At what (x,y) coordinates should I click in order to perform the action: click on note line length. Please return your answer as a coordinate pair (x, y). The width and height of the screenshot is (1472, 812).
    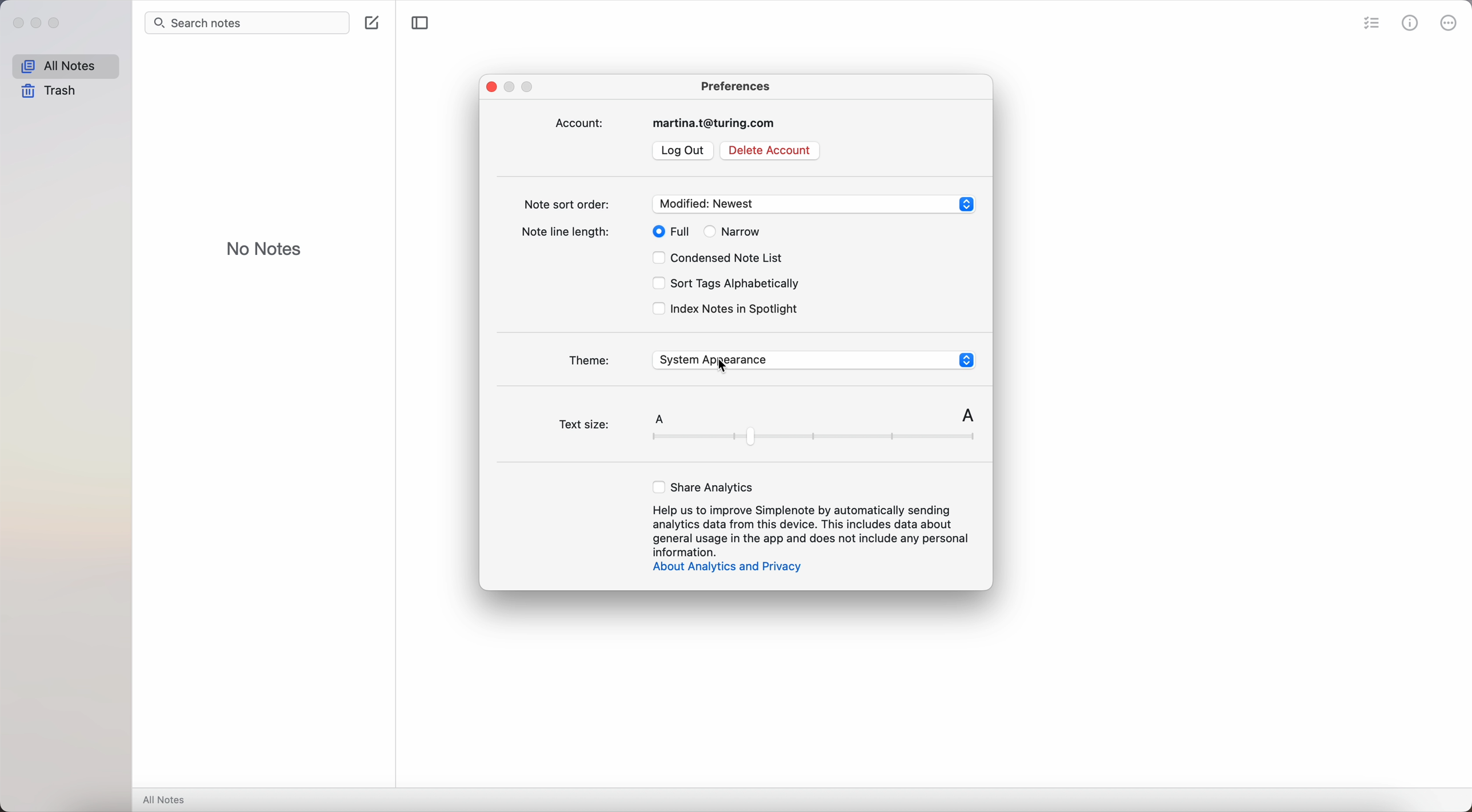
    Looking at the image, I should click on (569, 234).